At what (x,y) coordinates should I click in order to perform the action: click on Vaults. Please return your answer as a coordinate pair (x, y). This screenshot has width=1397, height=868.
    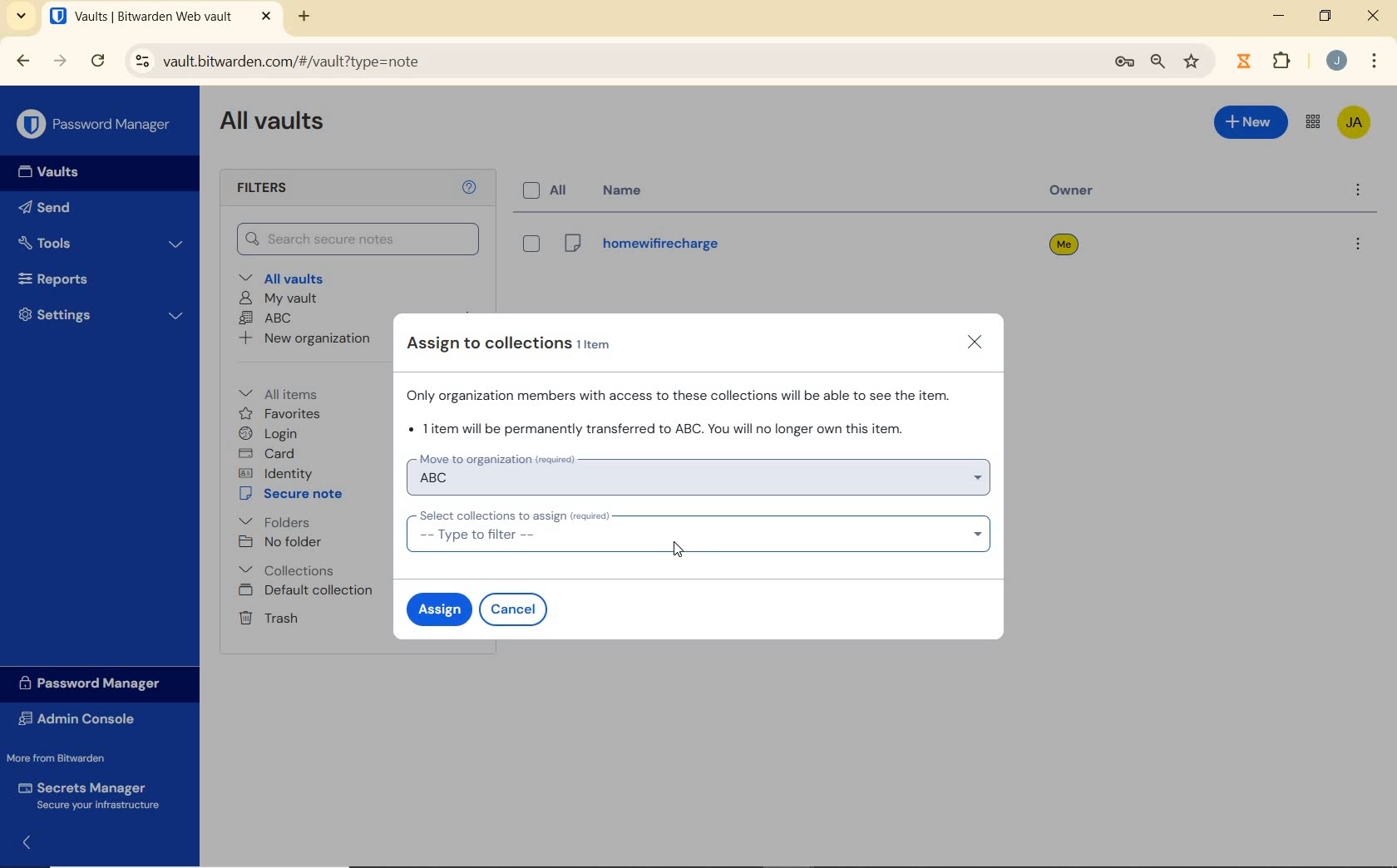
    Looking at the image, I should click on (43, 172).